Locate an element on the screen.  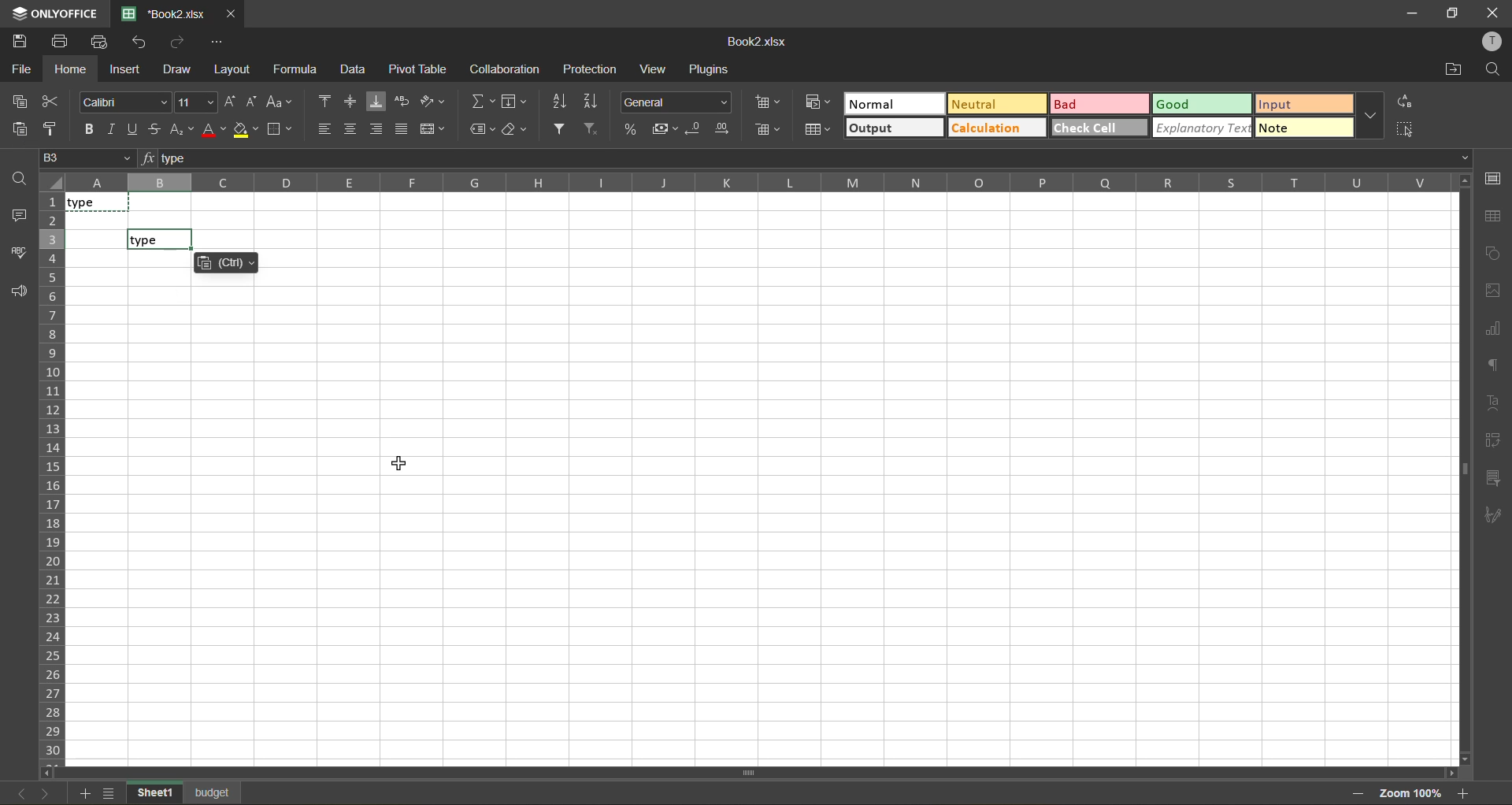
Cursor is located at coordinates (398, 464).